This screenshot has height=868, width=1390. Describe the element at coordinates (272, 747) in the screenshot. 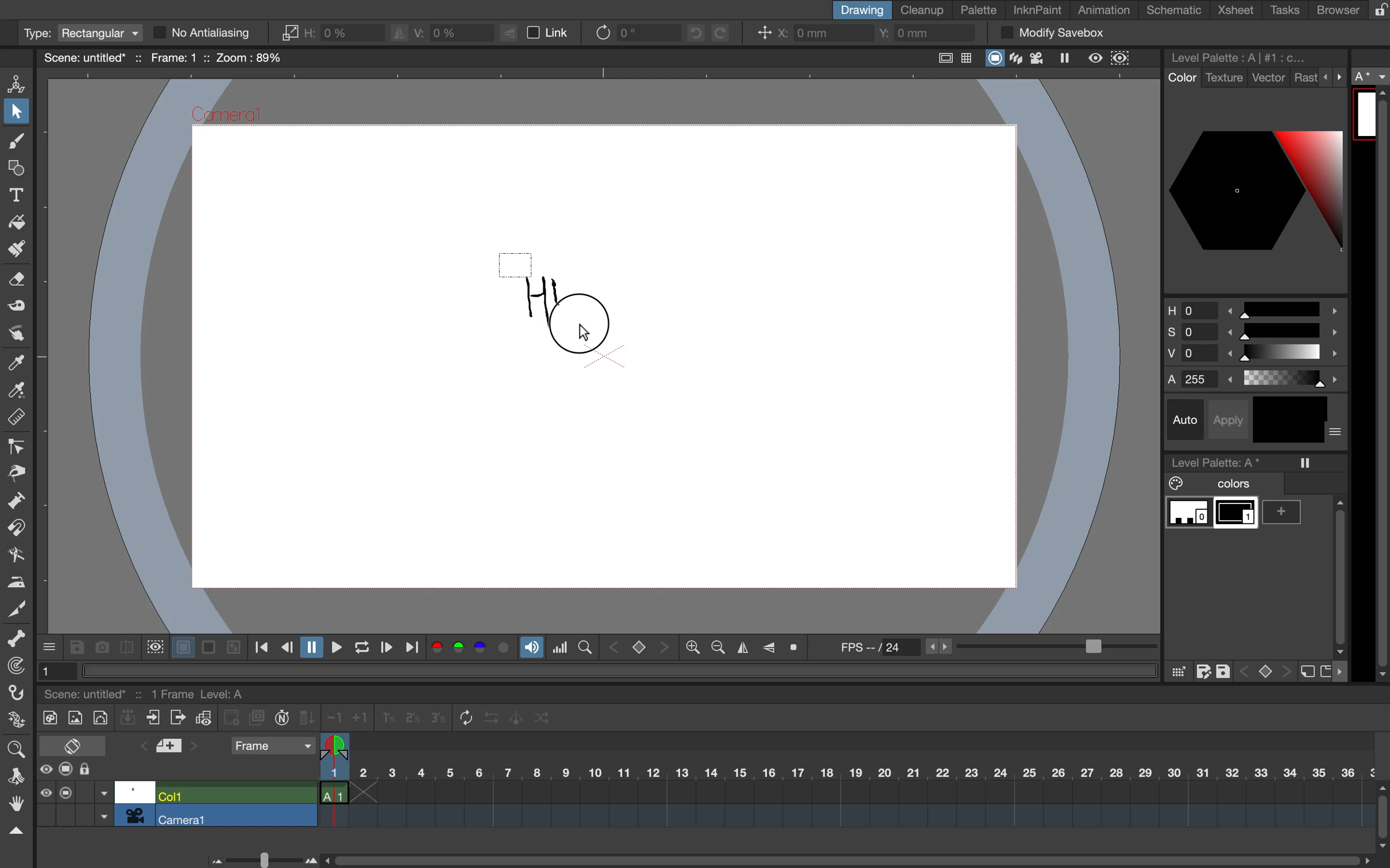

I see `frame` at that location.